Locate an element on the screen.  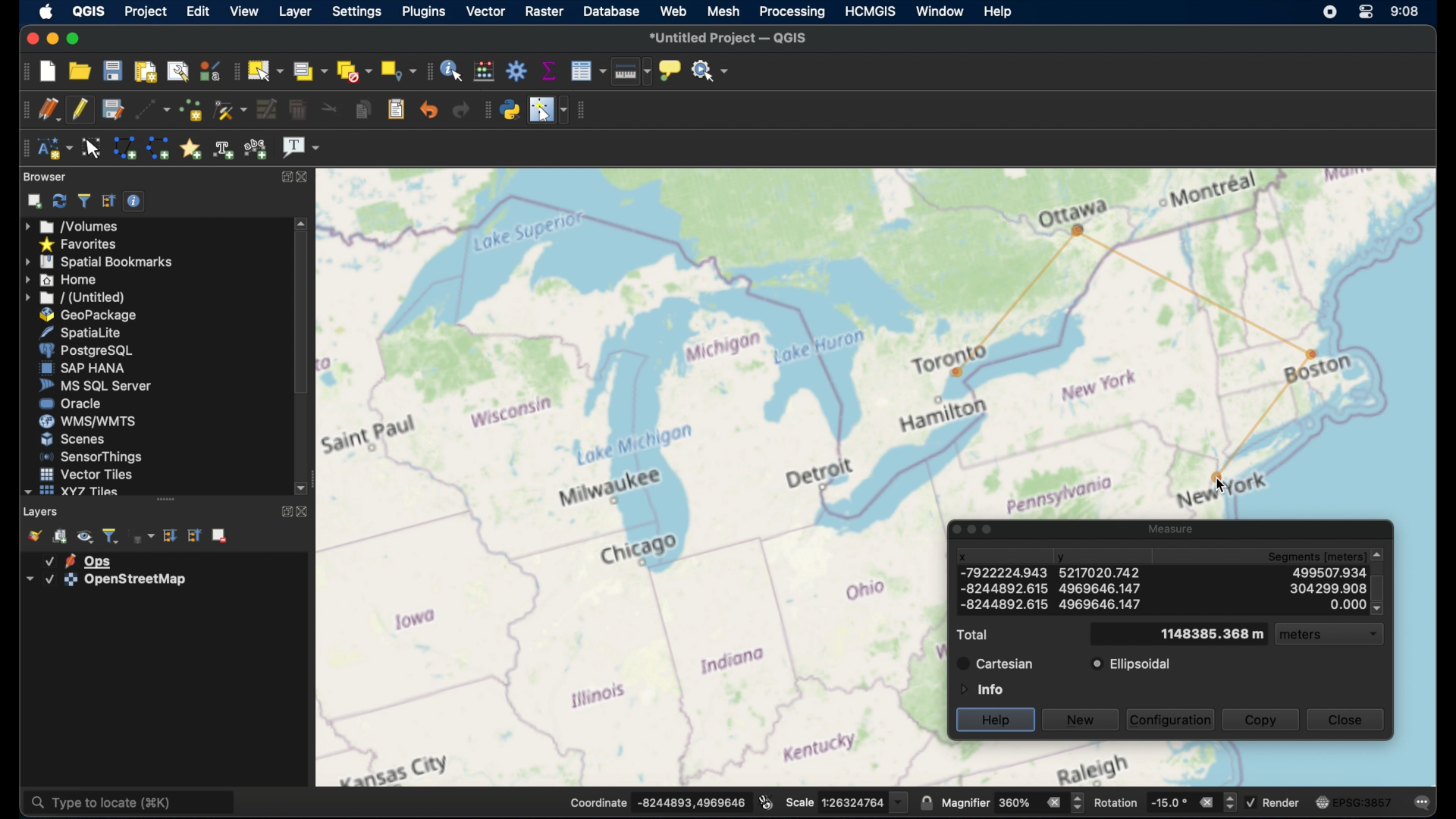
spatial bookmarks is located at coordinates (99, 261).